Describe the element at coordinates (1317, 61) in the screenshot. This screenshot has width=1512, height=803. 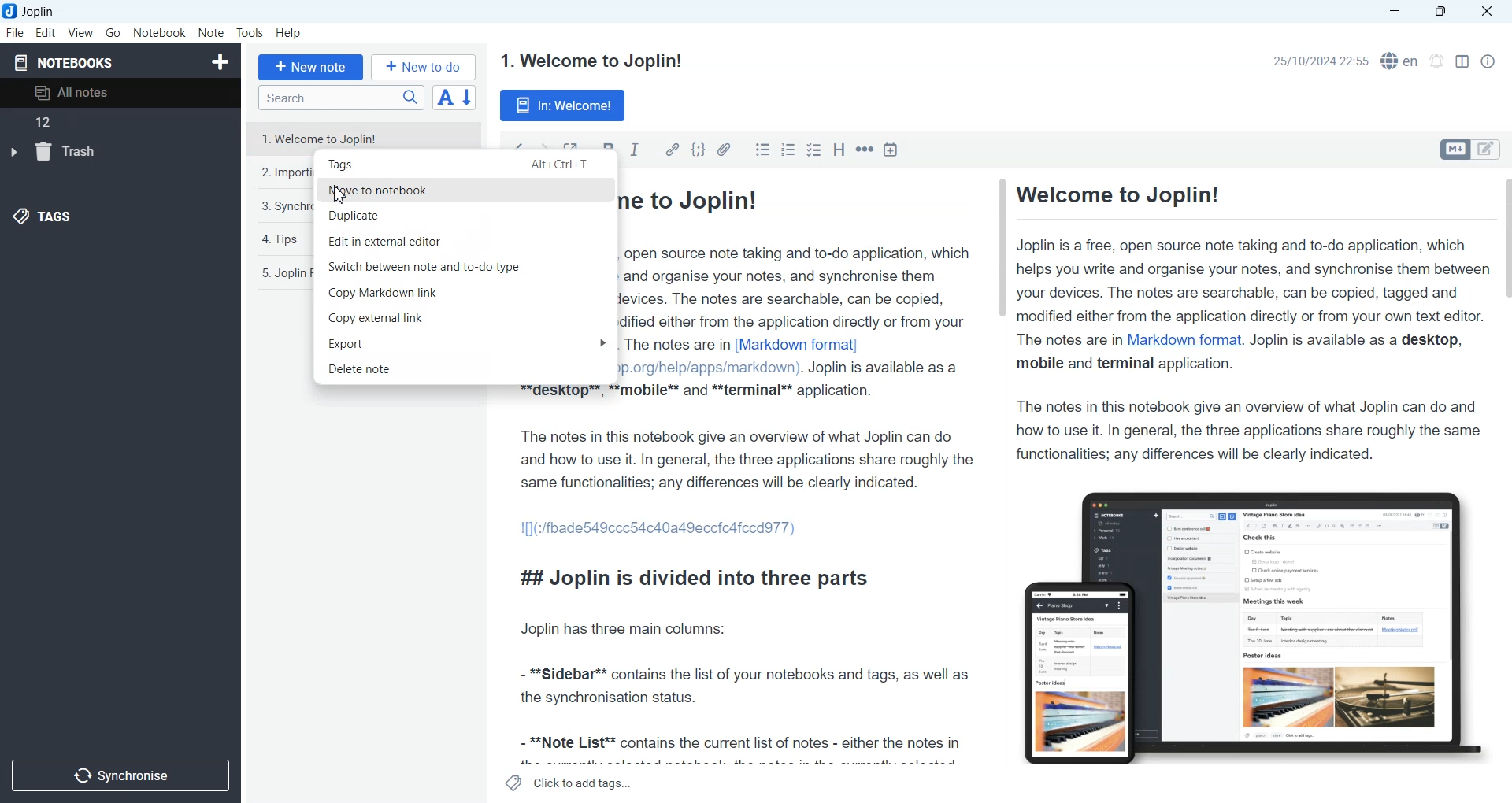
I see `25/10/2024 22:55` at that location.